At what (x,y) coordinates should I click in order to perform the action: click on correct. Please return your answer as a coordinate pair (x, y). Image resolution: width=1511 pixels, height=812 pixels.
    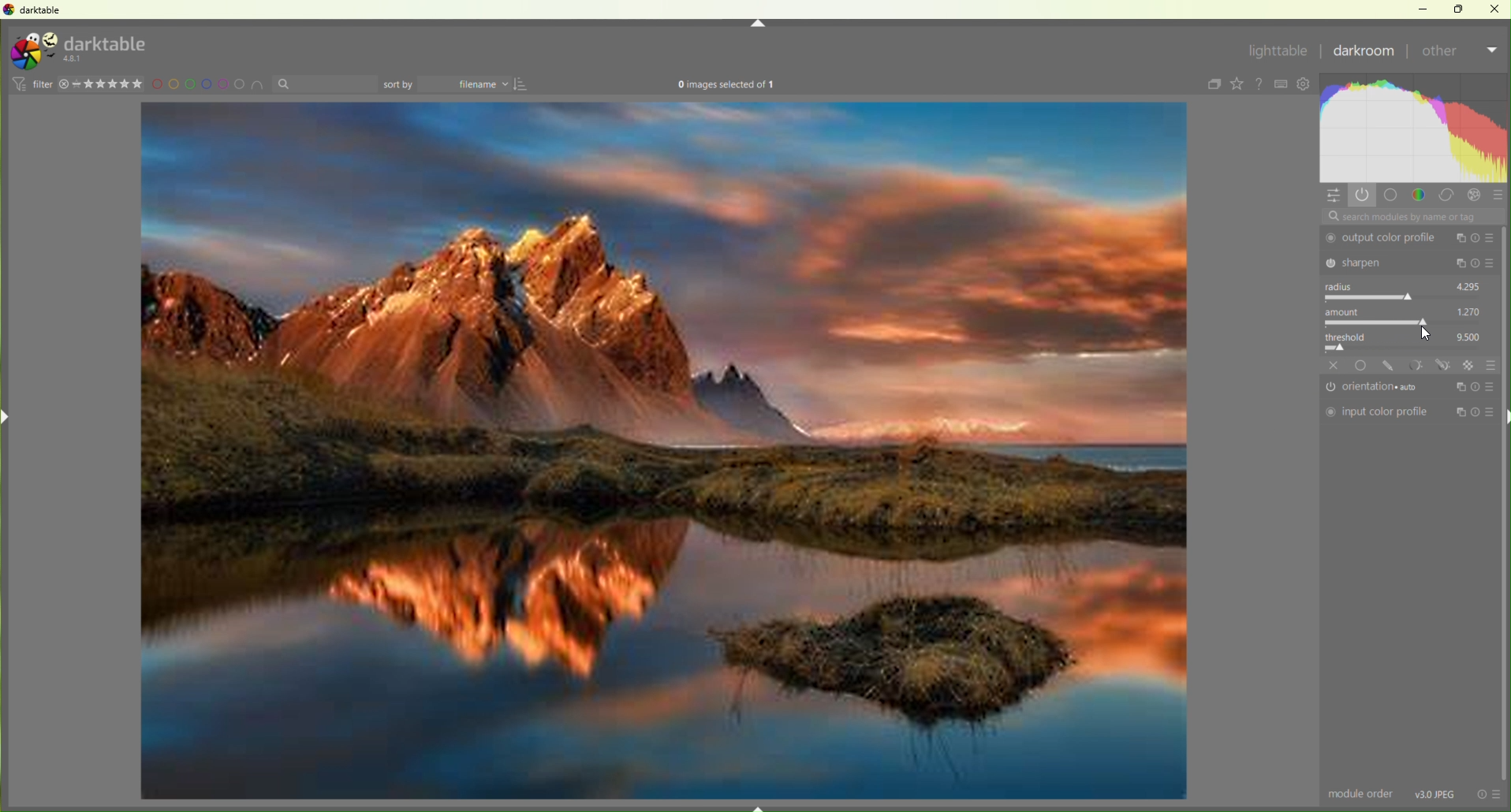
    Looking at the image, I should click on (1447, 196).